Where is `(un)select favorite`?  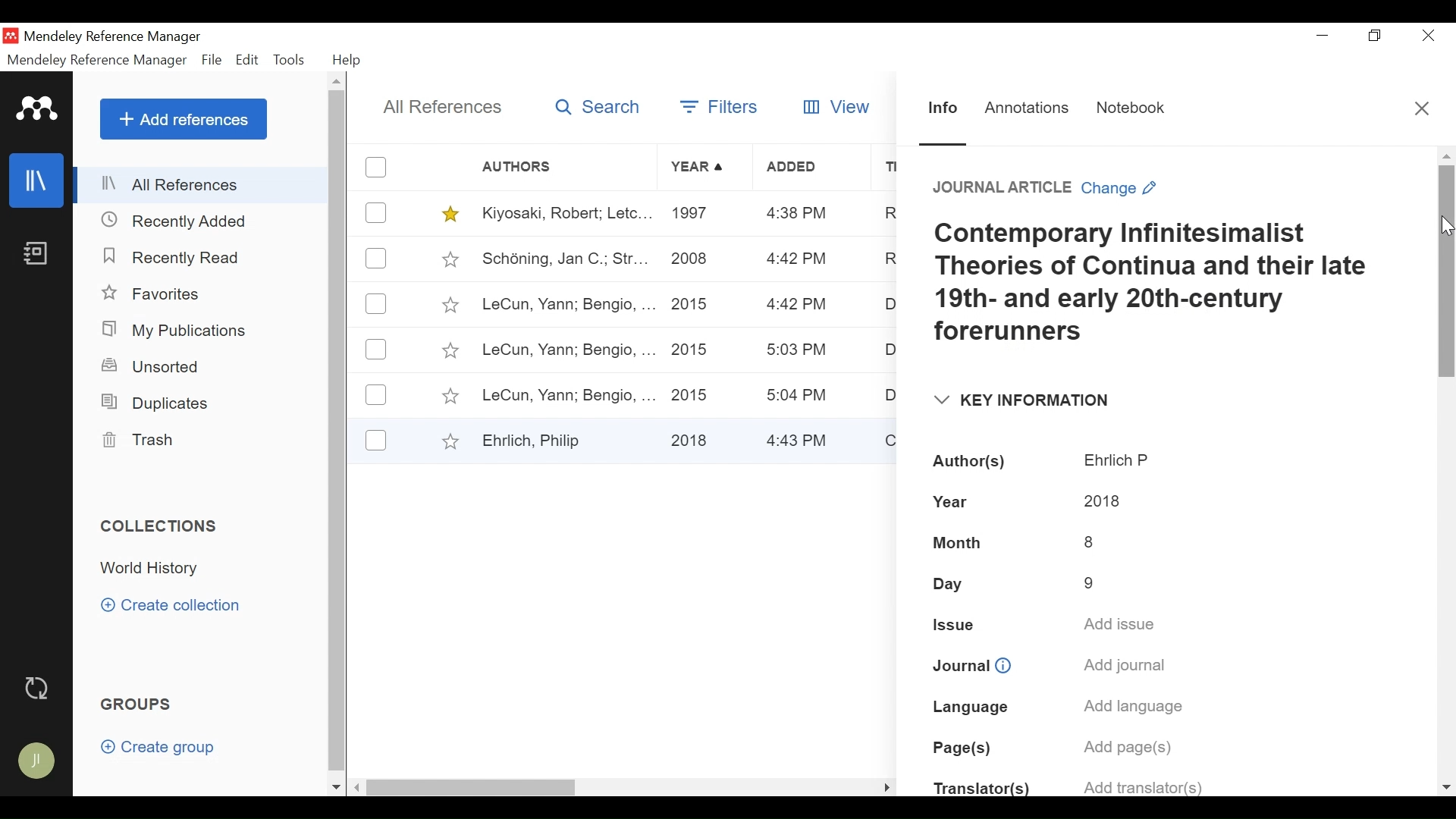
(un)select favorite is located at coordinates (447, 441).